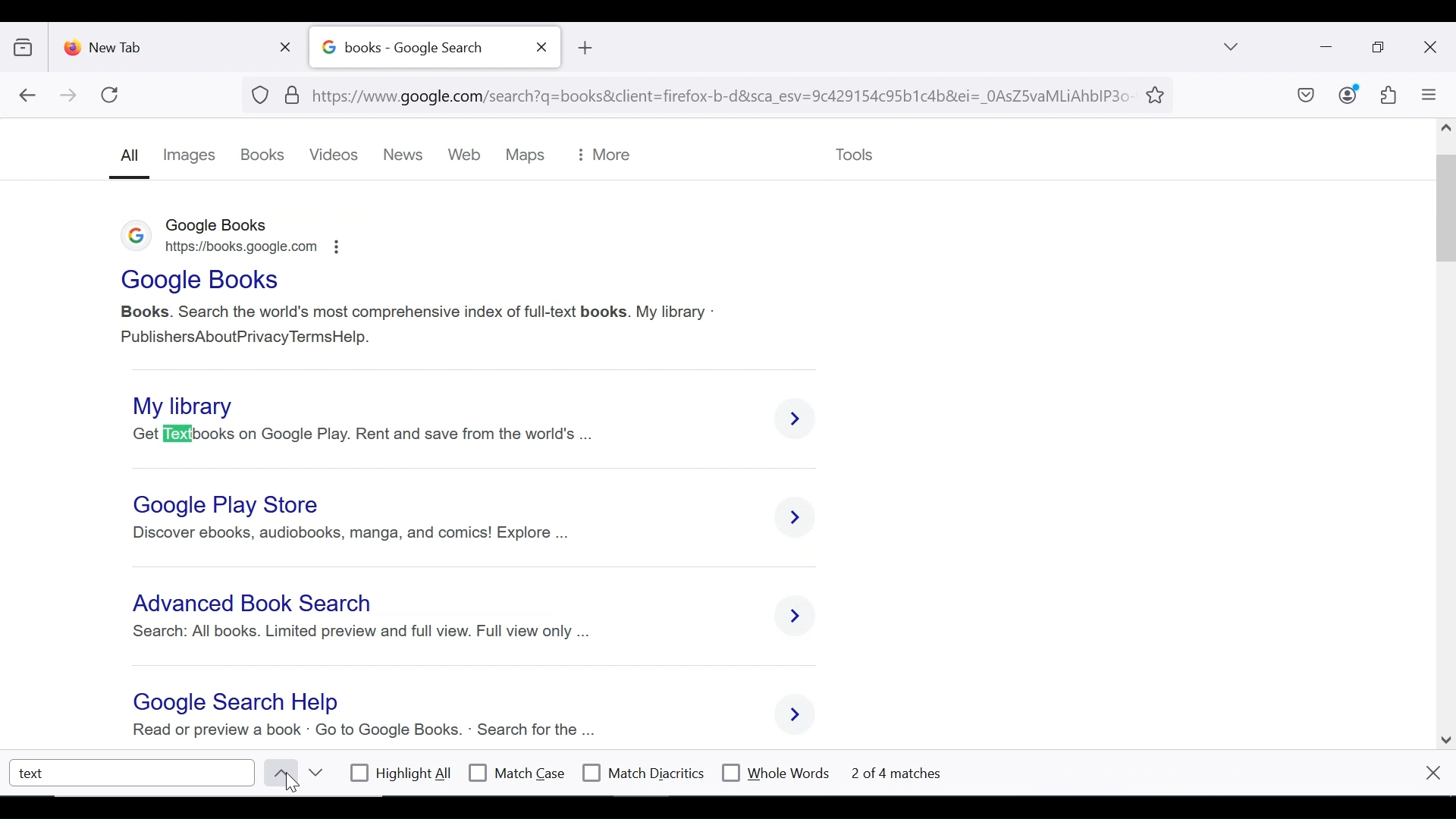 The width and height of the screenshot is (1456, 819). I want to click on get the textbooks on Google Play. Rent and save from the world's finest, so click(372, 434).